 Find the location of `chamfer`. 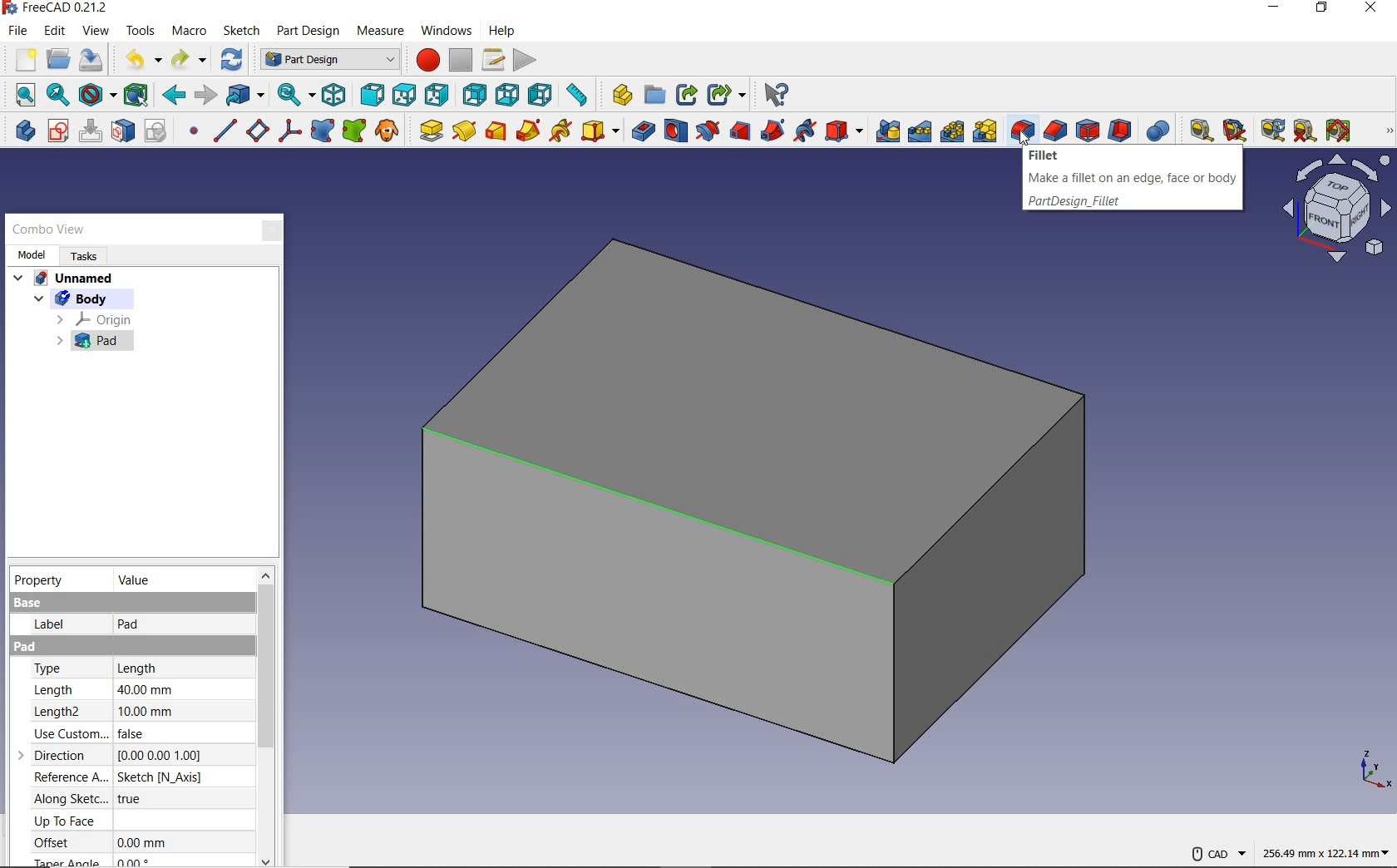

chamfer is located at coordinates (1054, 131).